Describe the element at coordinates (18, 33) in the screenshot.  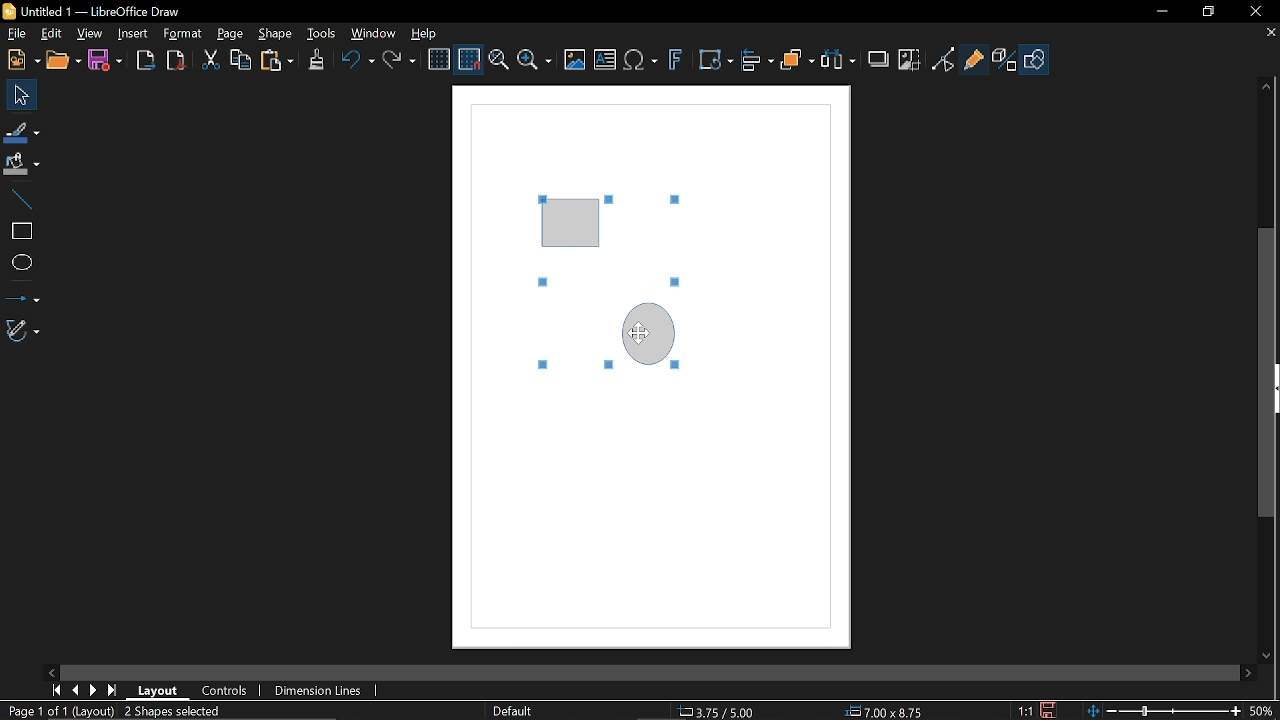
I see `File` at that location.